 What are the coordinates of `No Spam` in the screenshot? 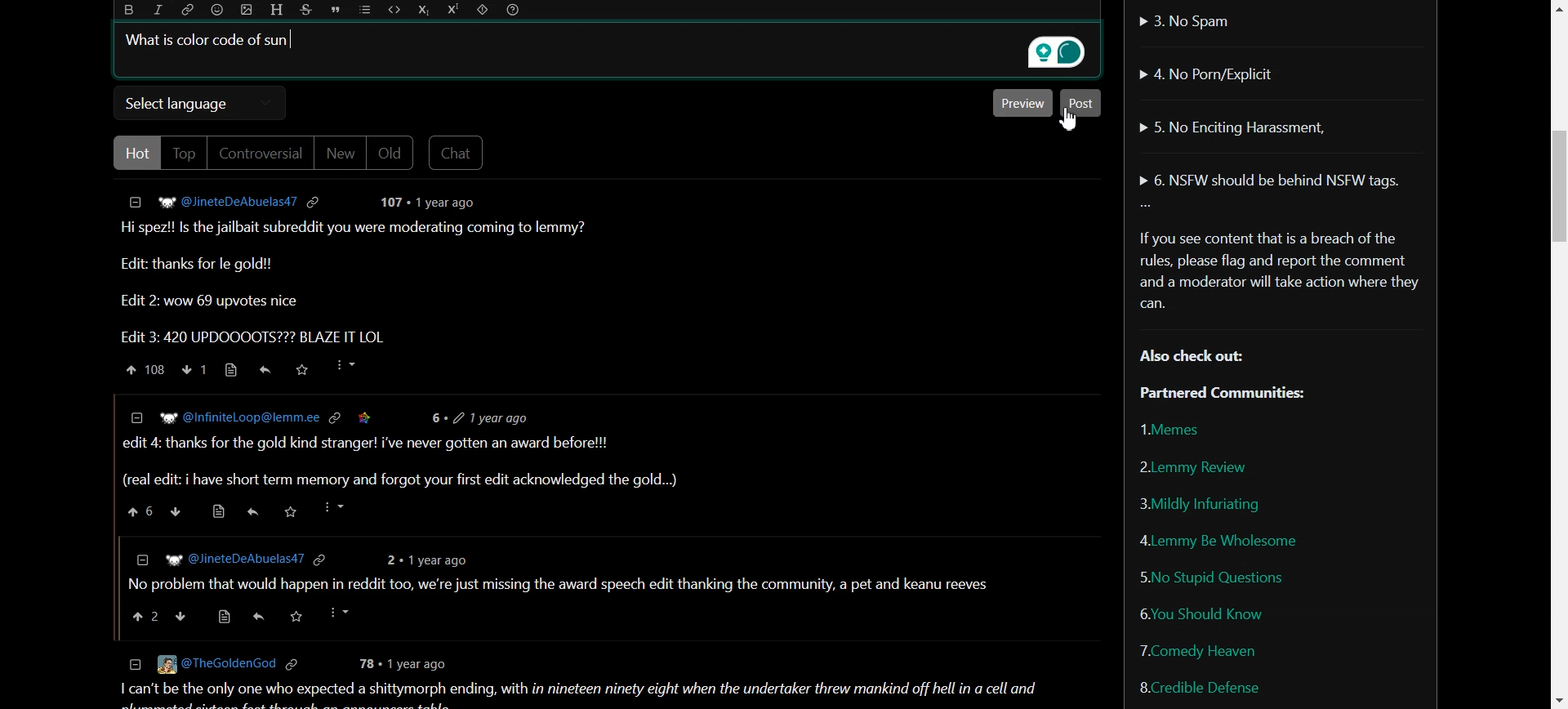 It's located at (1197, 22).